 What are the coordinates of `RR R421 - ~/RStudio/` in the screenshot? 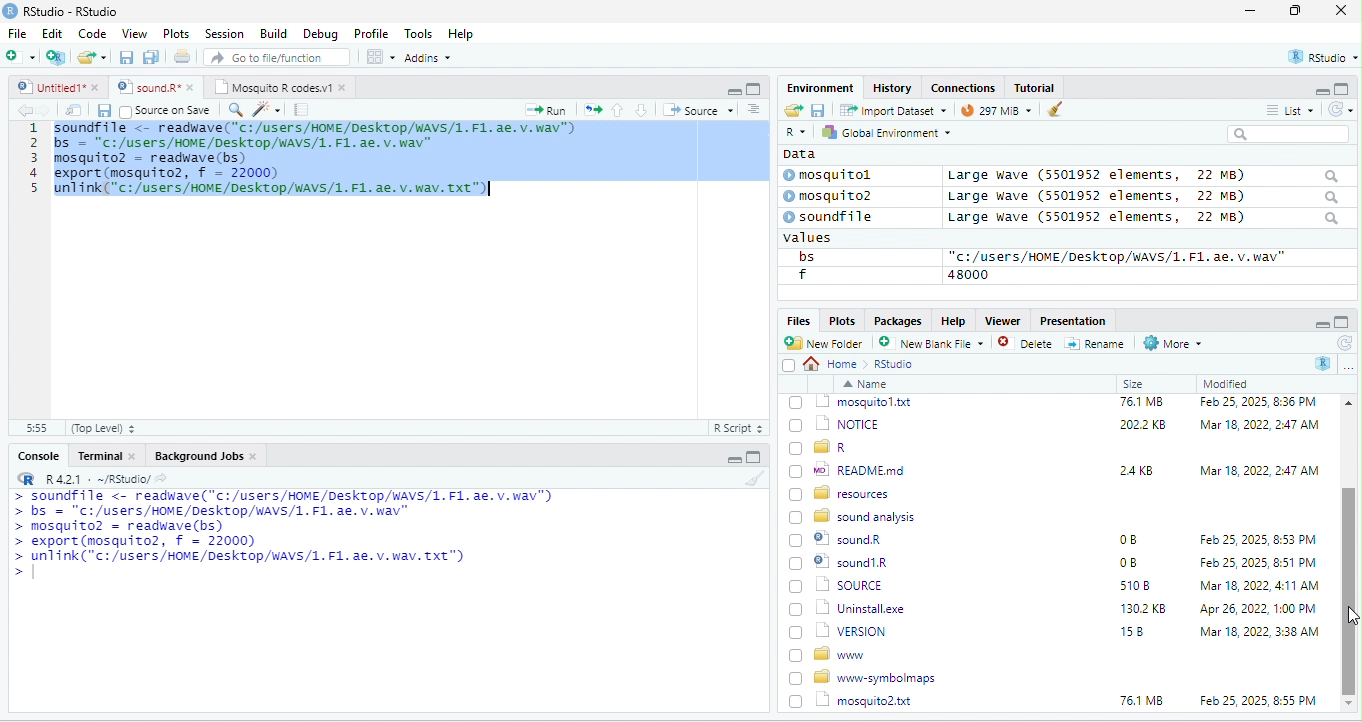 It's located at (87, 480).